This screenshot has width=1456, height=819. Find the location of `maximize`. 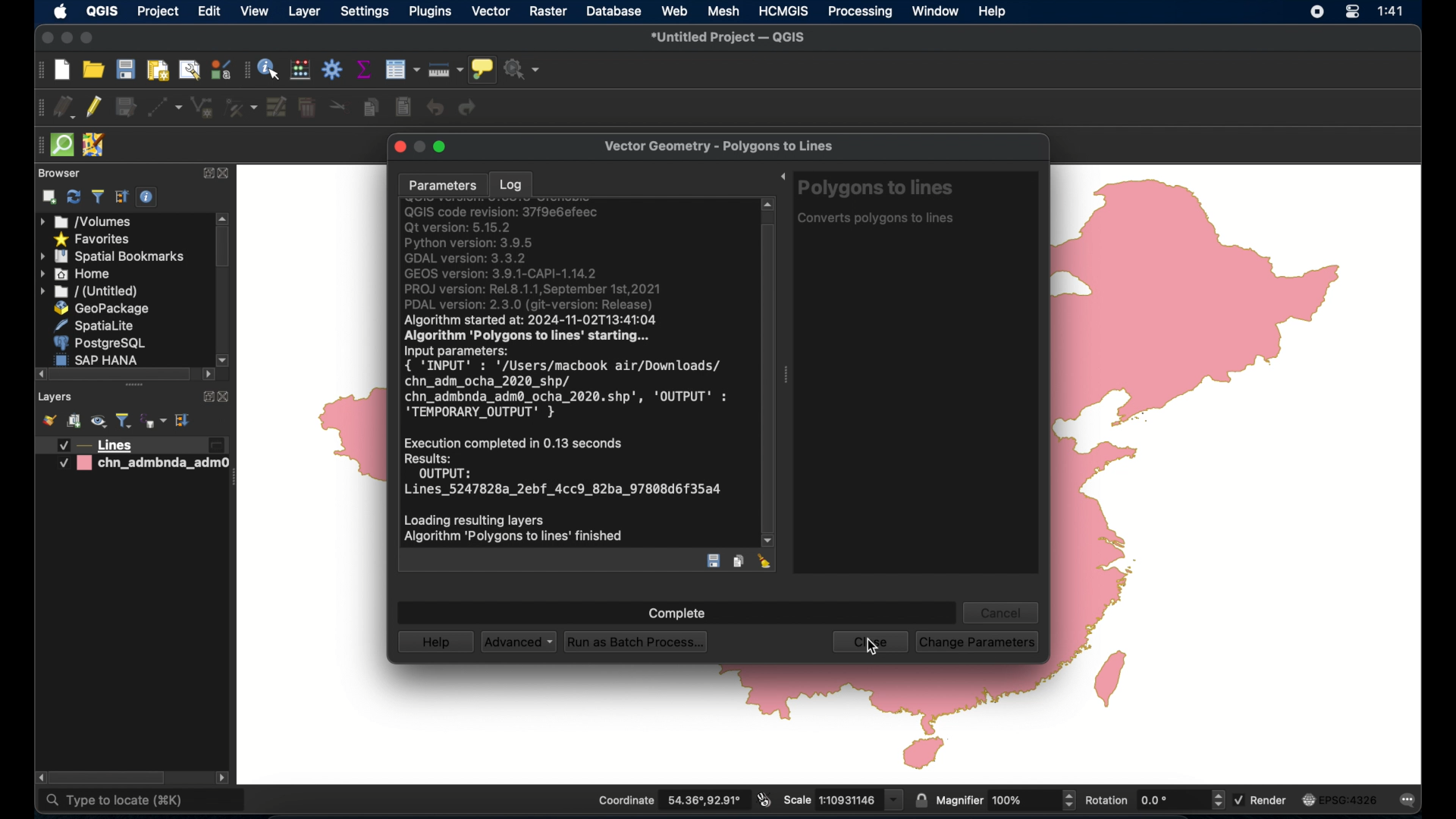

maximize is located at coordinates (89, 38).